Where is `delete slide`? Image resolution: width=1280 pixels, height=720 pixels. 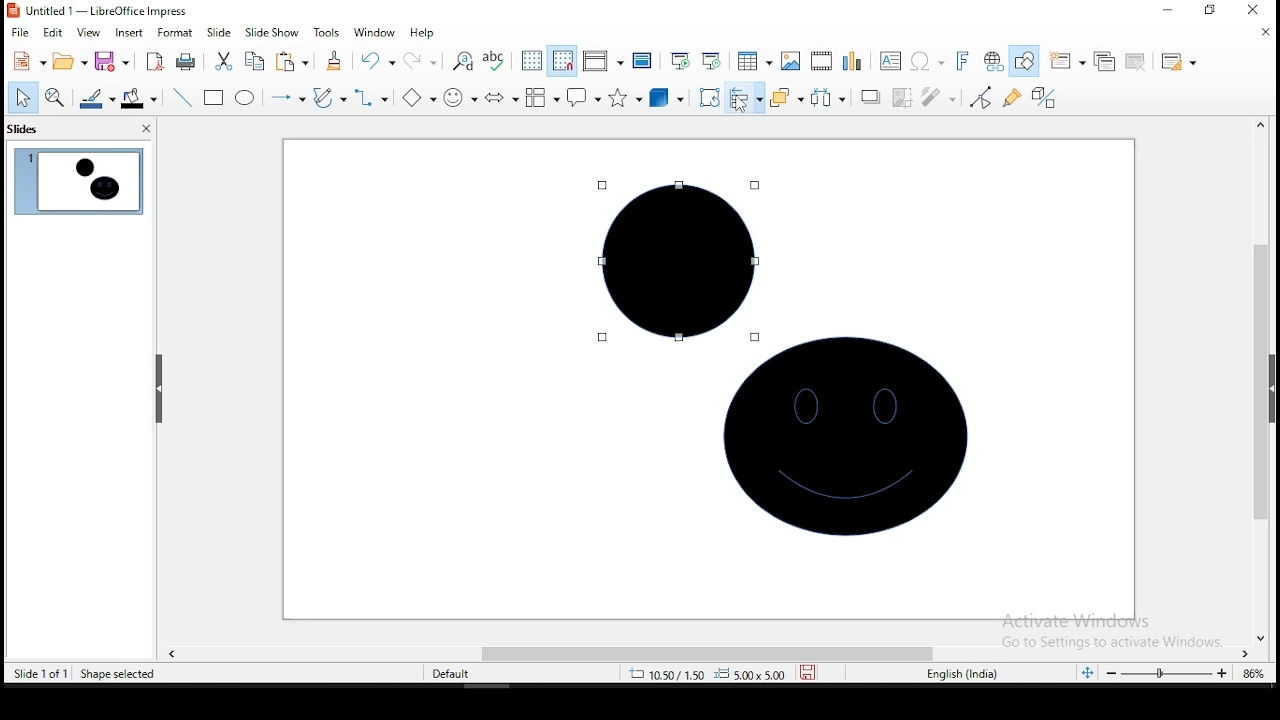 delete slide is located at coordinates (1133, 60).